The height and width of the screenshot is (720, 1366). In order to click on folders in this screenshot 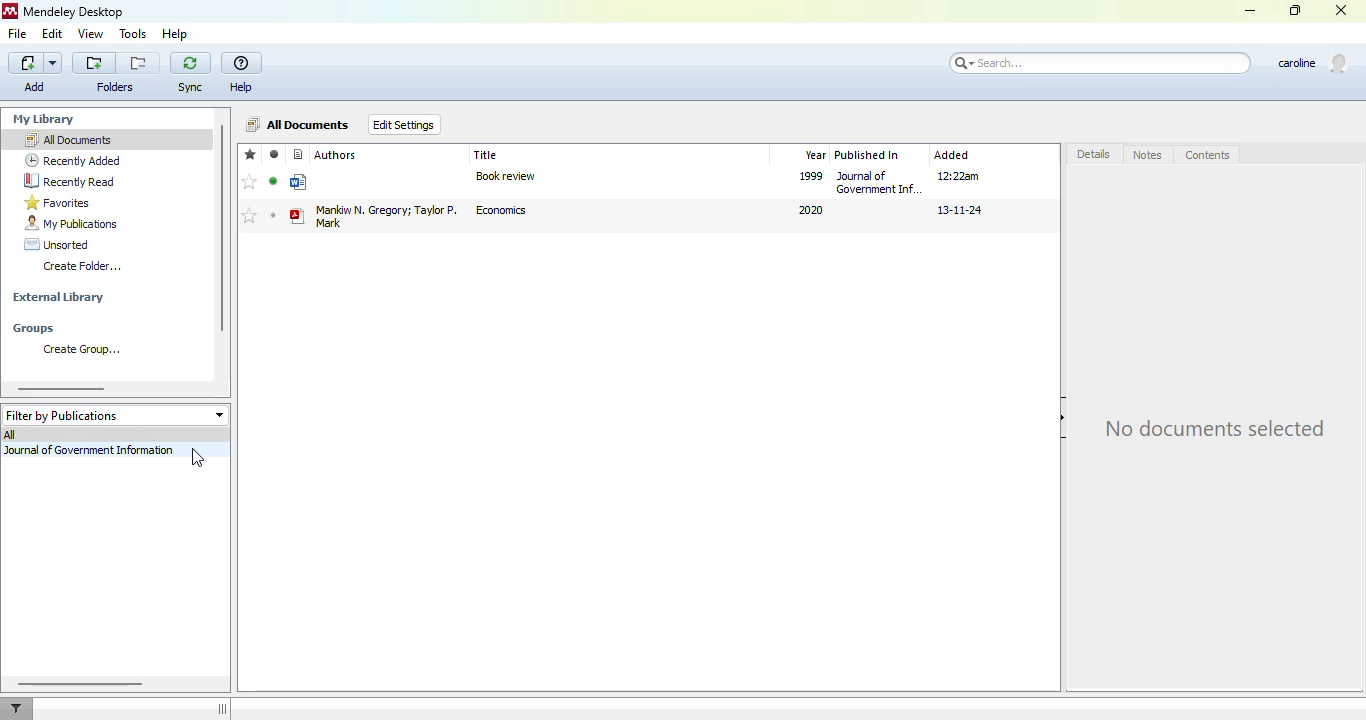, I will do `click(117, 87)`.